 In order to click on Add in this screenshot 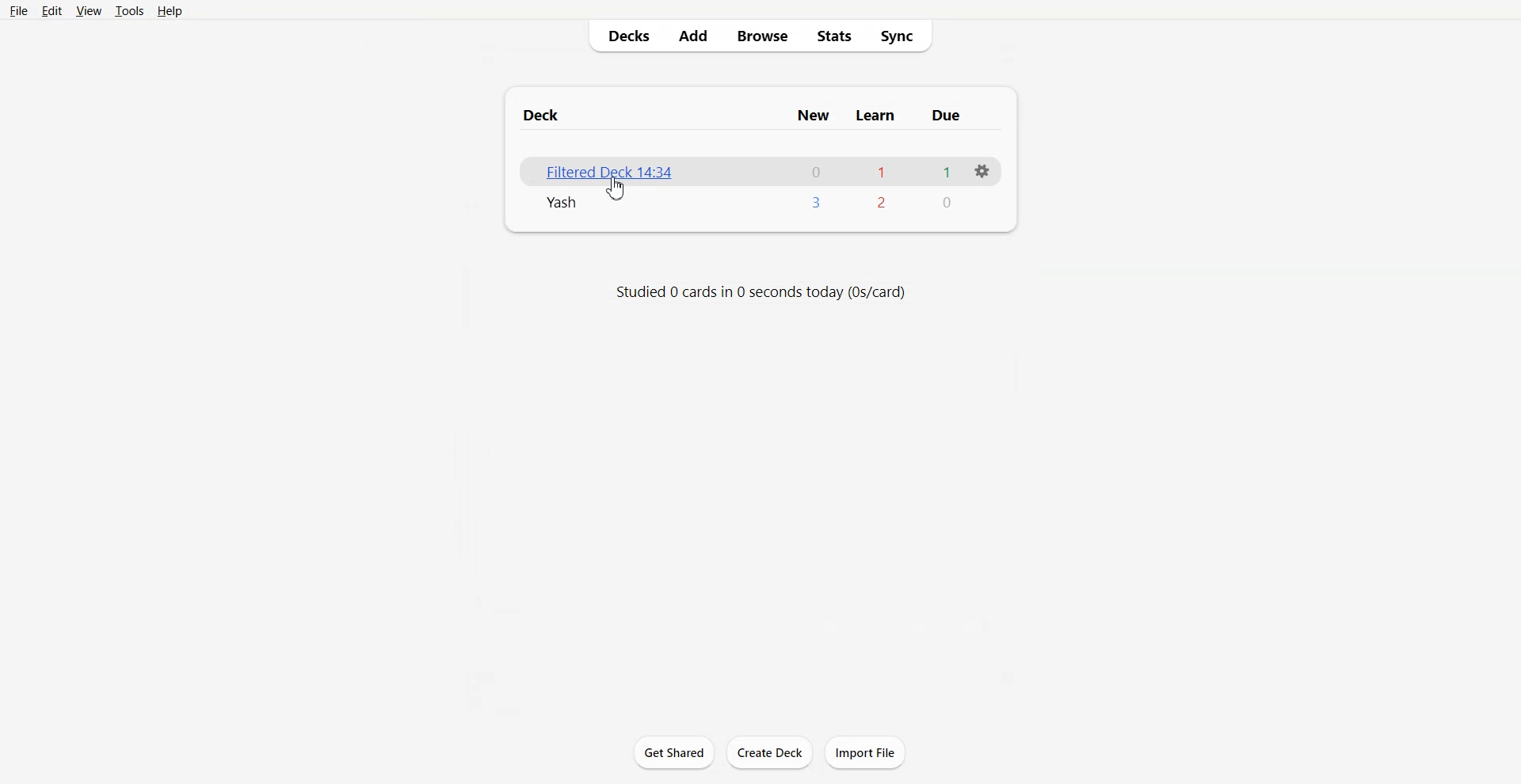, I will do `click(693, 36)`.